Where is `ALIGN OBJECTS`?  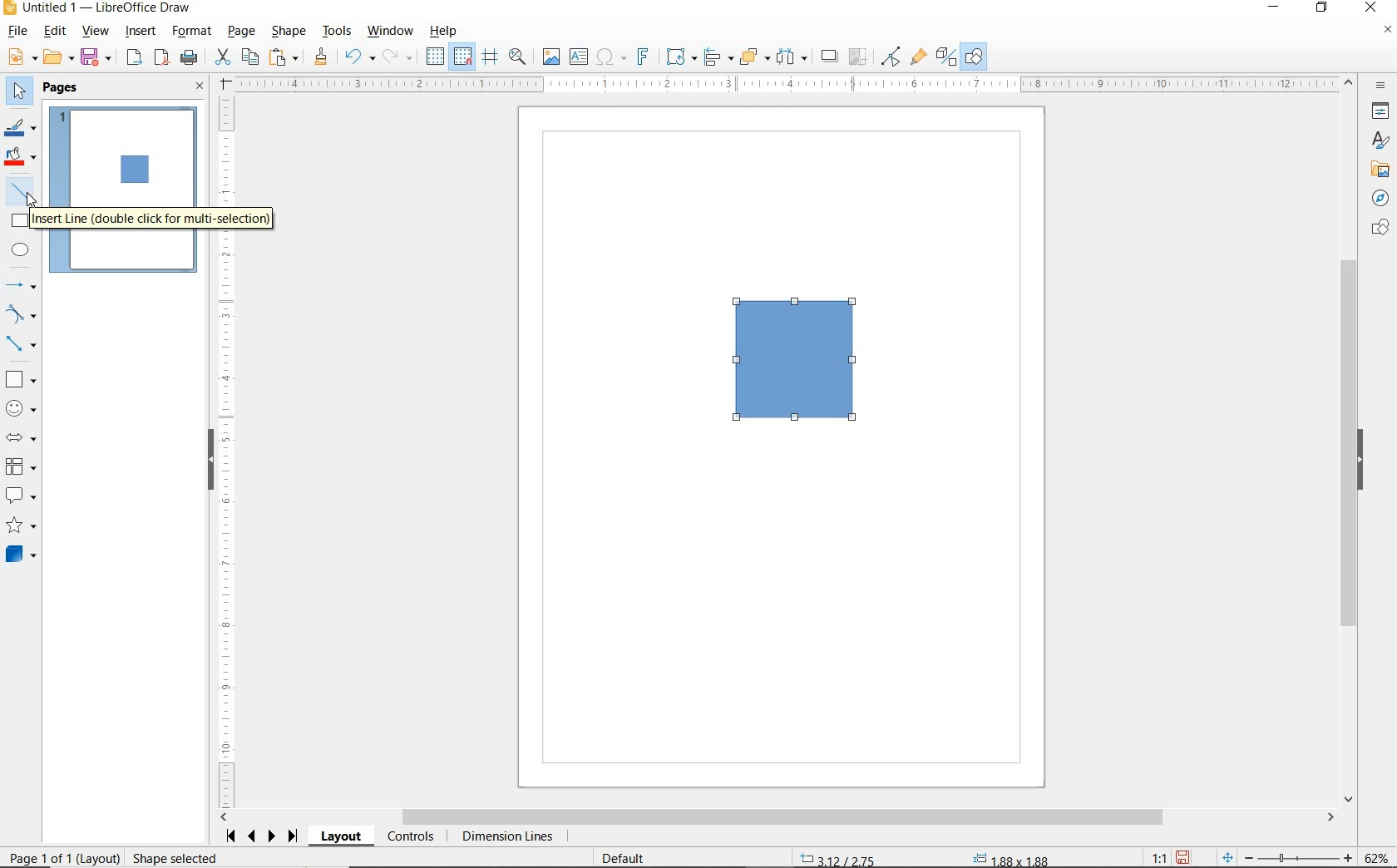
ALIGN OBJECTS is located at coordinates (718, 57).